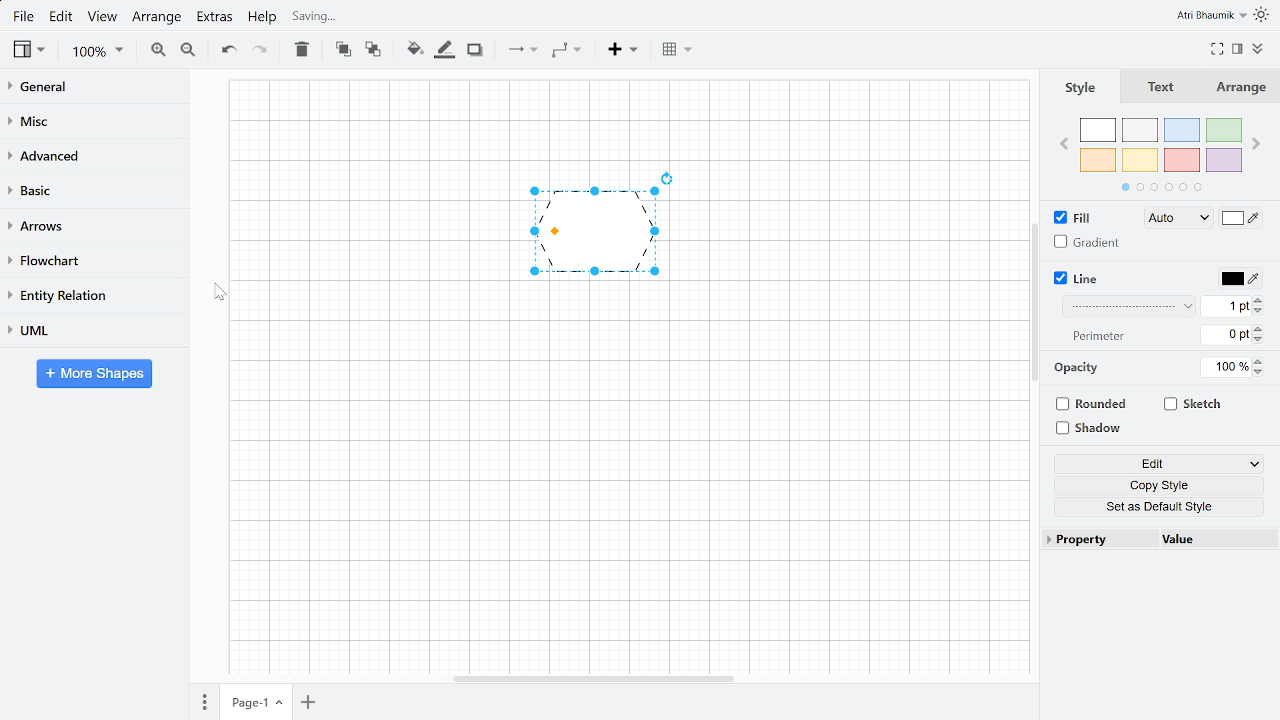 This screenshot has height=720, width=1280. I want to click on Arrange, so click(158, 18).